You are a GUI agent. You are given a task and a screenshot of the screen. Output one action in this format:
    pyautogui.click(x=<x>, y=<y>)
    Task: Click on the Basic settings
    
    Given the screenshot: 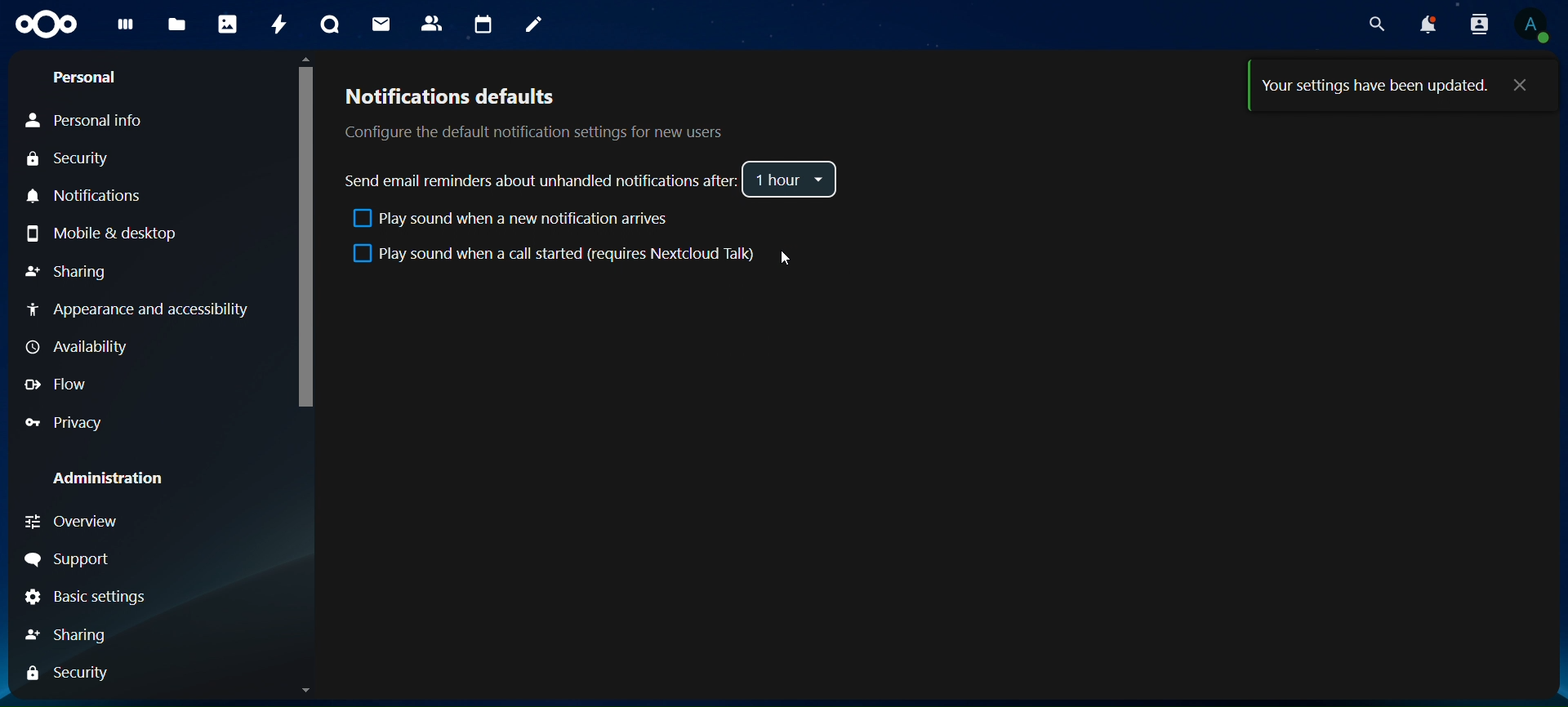 What is the action you would take?
    pyautogui.click(x=82, y=598)
    